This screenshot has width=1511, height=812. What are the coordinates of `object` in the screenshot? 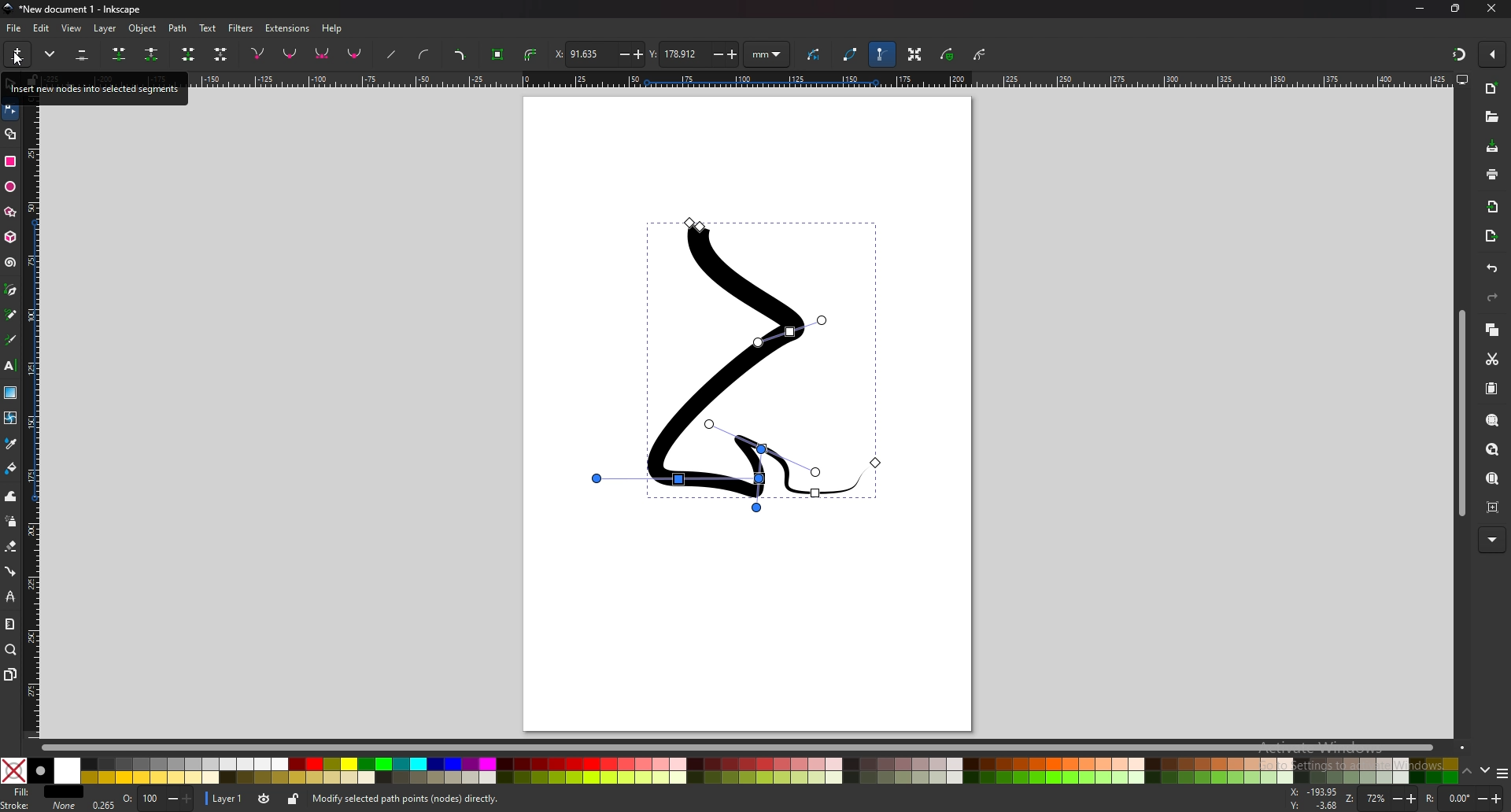 It's located at (142, 28).